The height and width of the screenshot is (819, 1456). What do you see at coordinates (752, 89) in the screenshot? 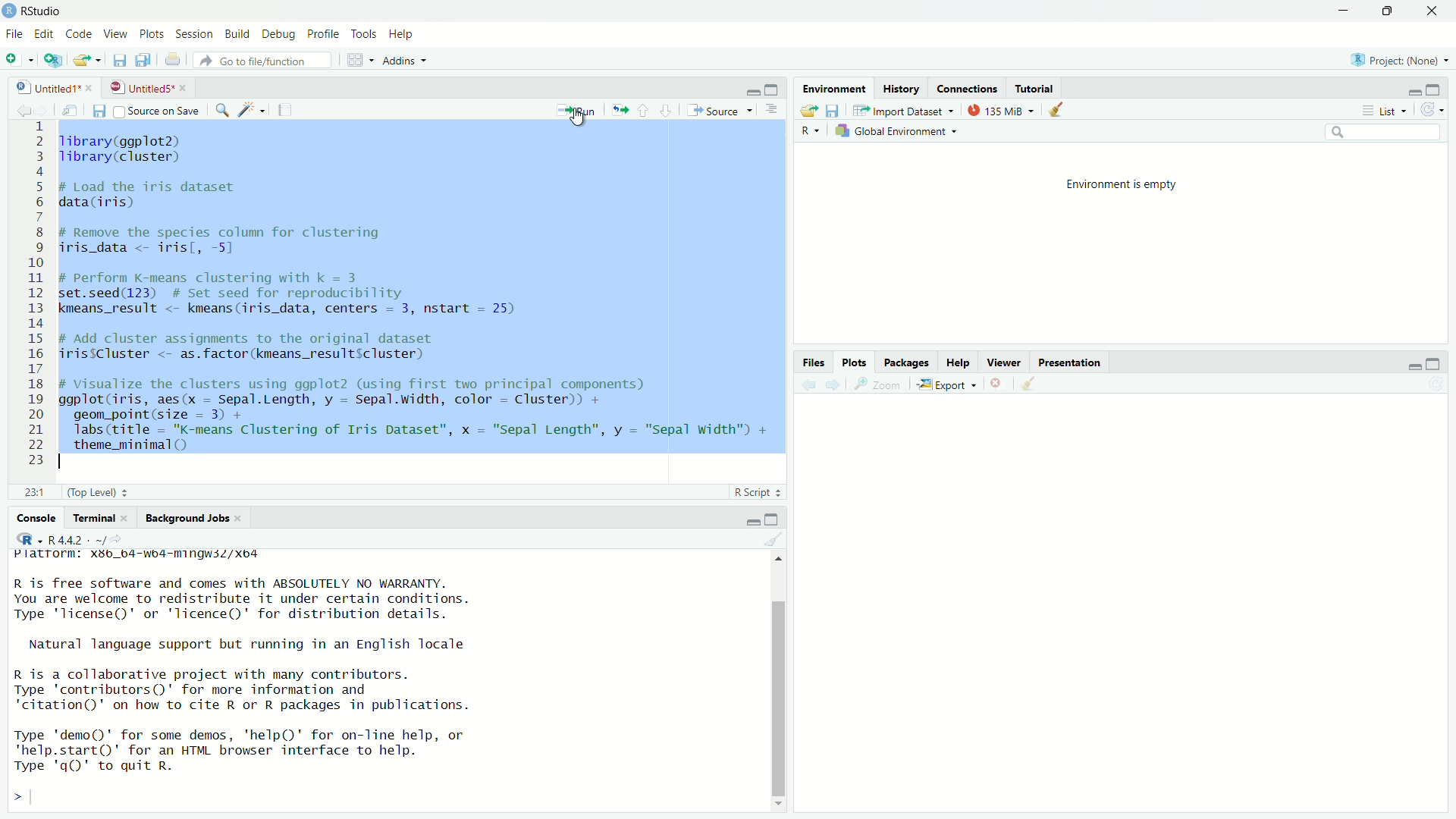
I see `minimize` at bounding box center [752, 89].